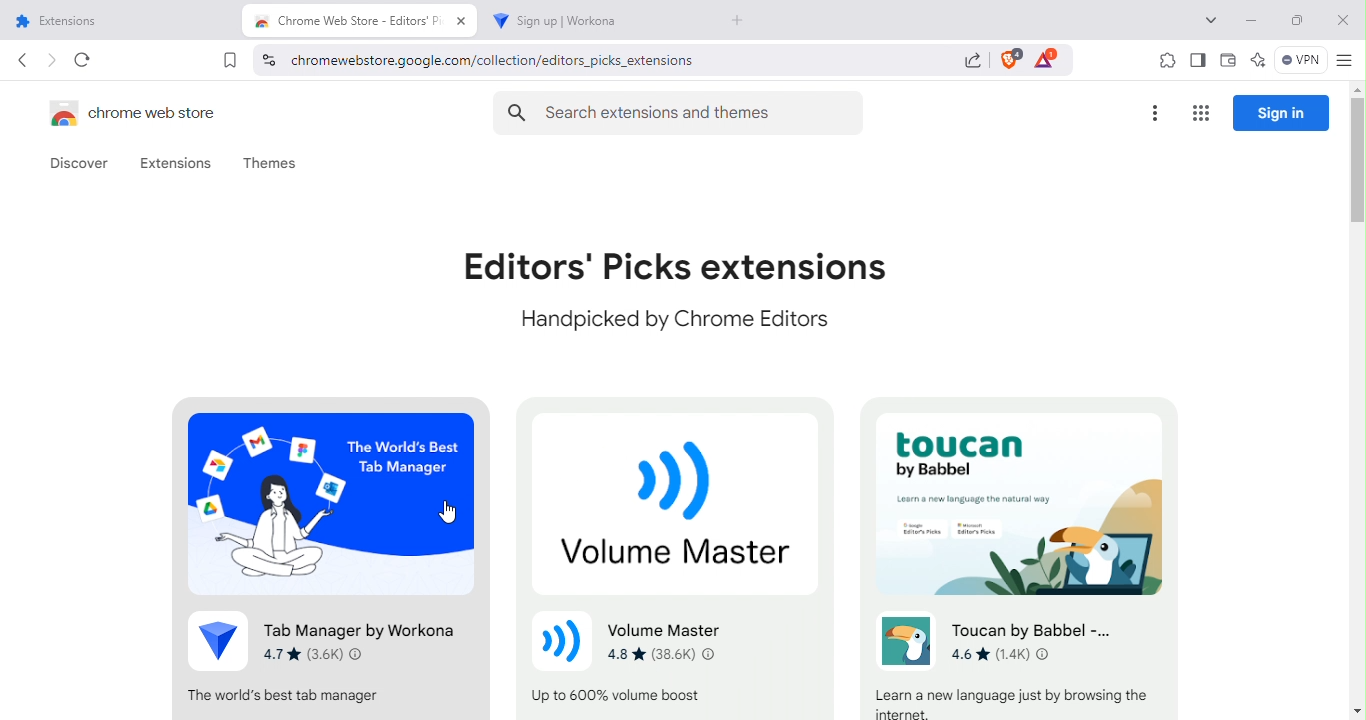  What do you see at coordinates (176, 164) in the screenshot?
I see `Extensions` at bounding box center [176, 164].